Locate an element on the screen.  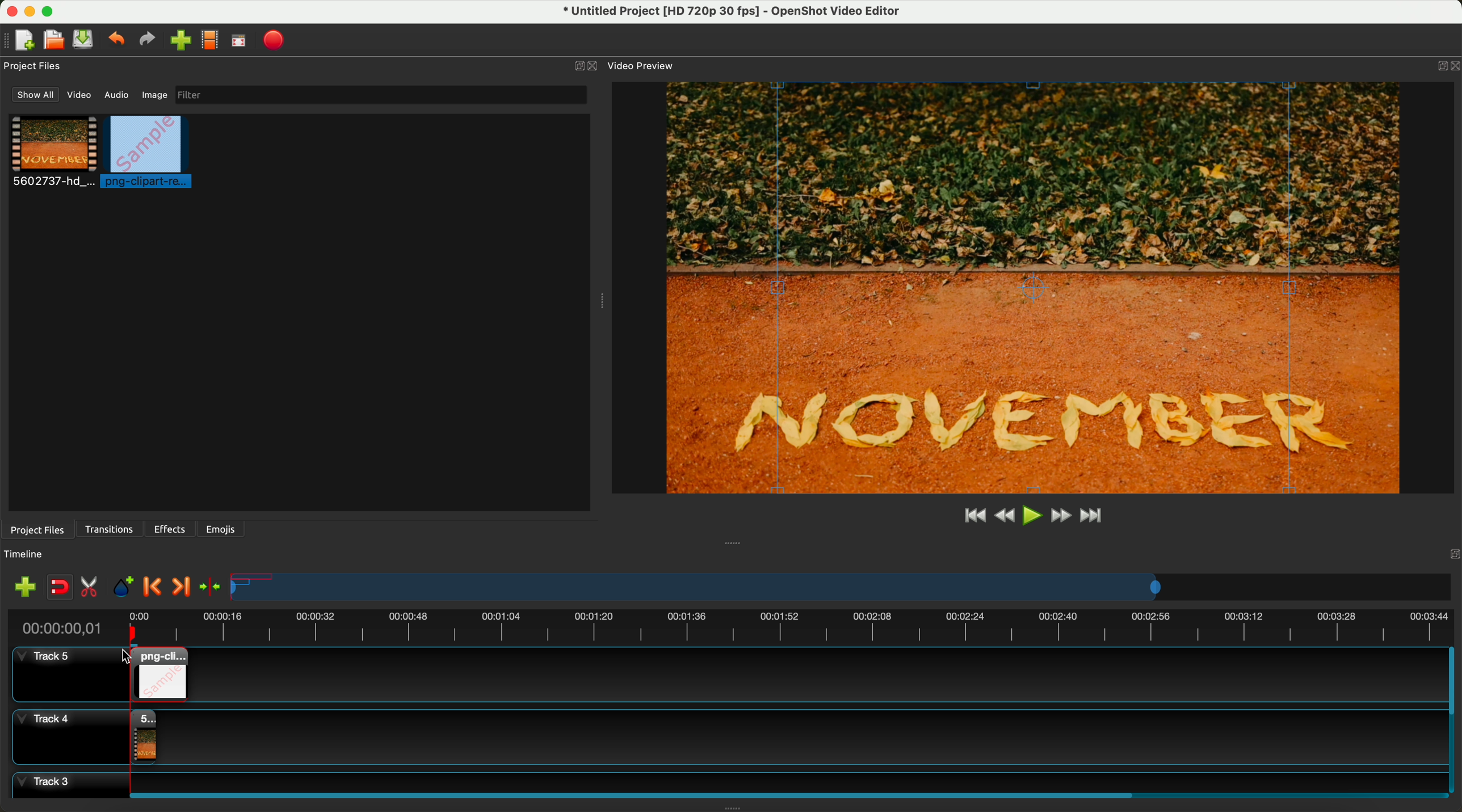
video preview is located at coordinates (640, 66).